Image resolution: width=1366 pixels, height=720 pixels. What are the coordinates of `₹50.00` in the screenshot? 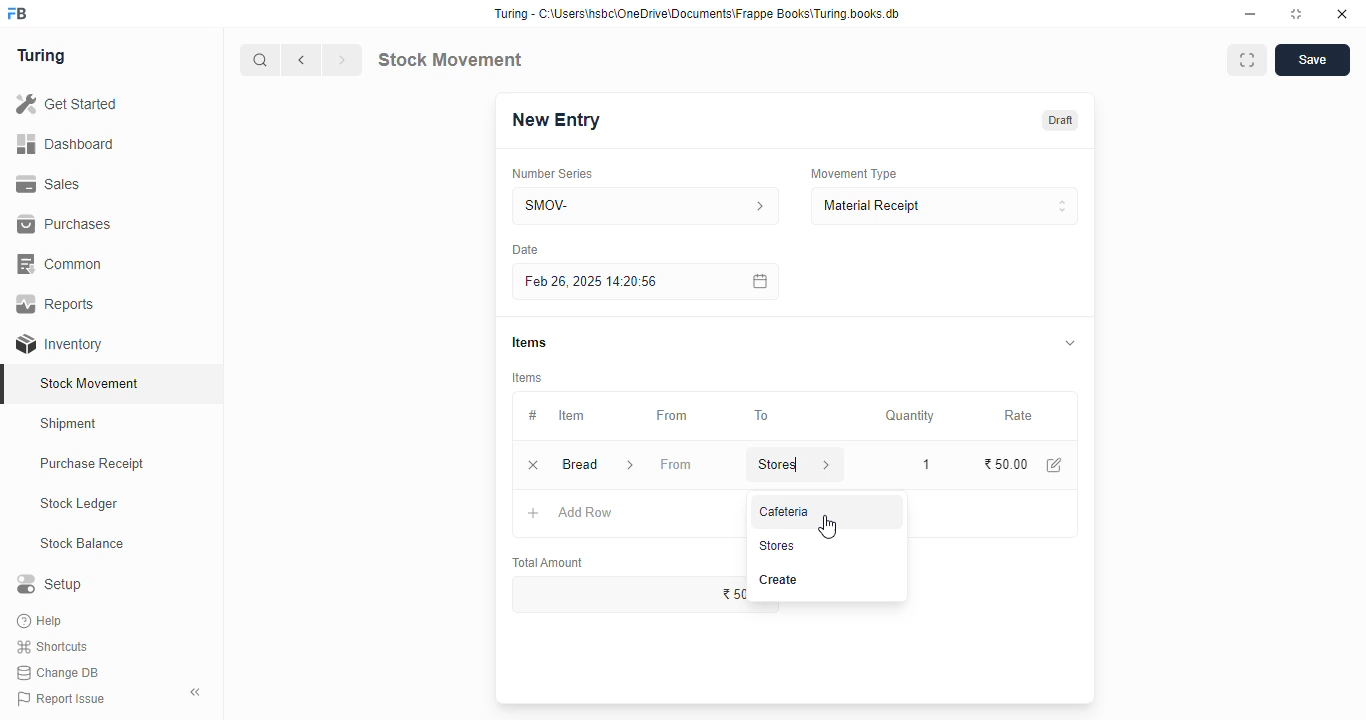 It's located at (630, 594).